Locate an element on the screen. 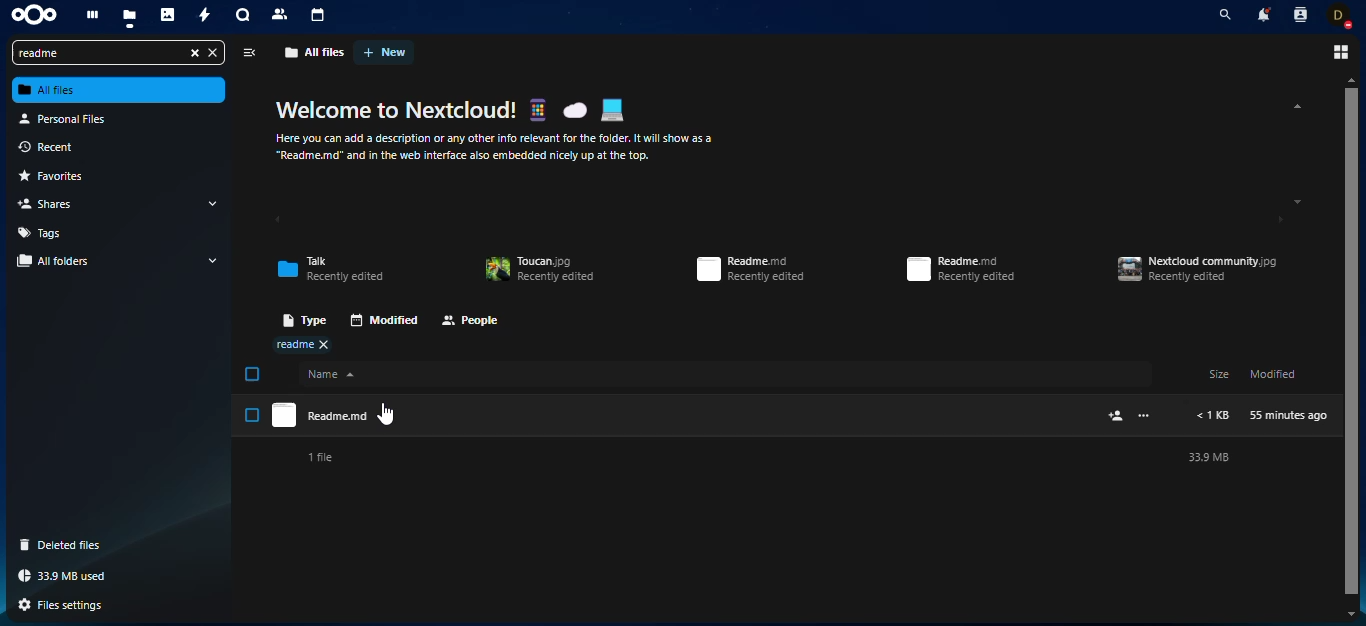  personal files is located at coordinates (69, 118).